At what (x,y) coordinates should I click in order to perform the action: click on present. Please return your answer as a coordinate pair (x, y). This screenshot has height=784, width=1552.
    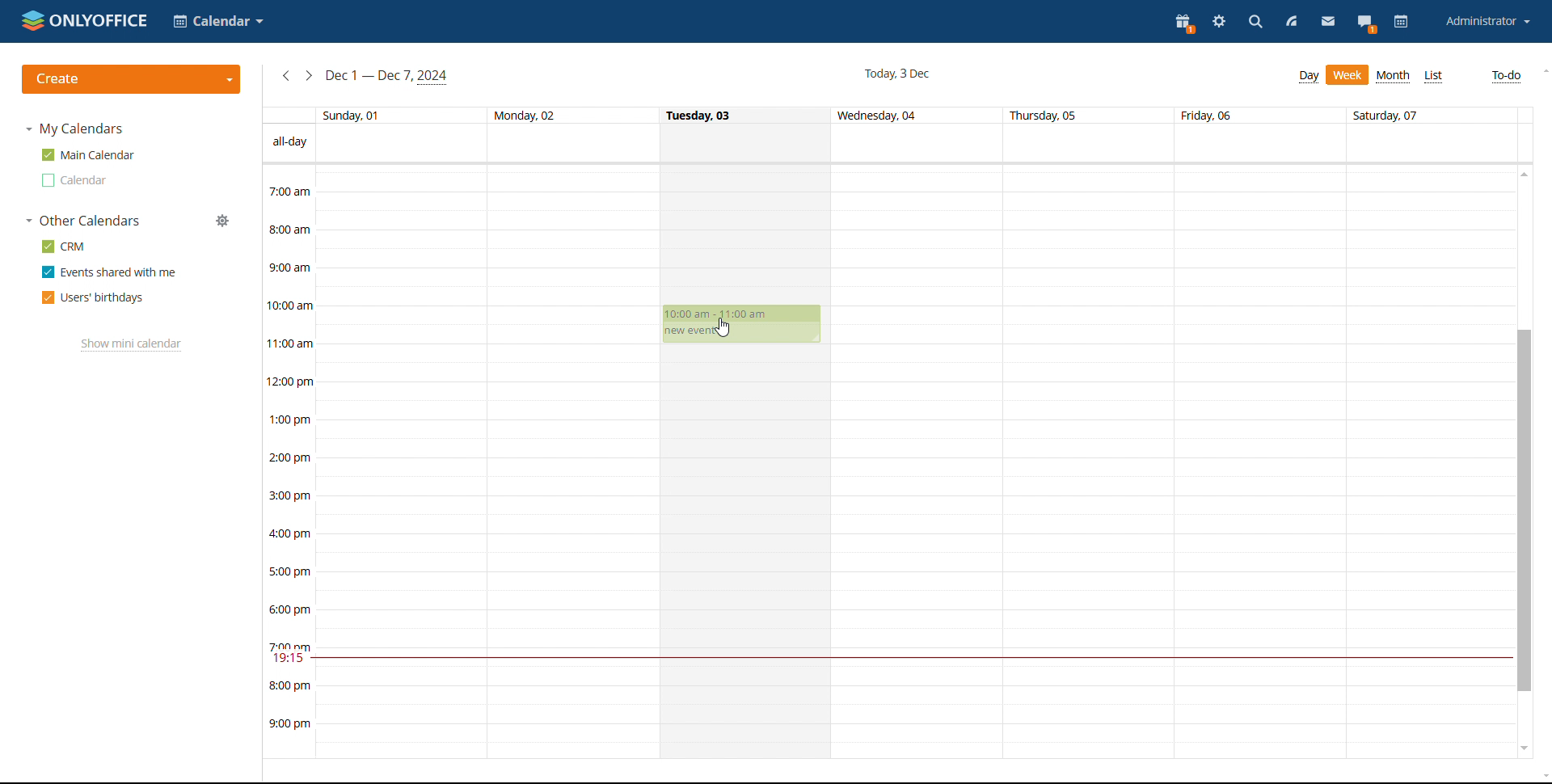
    Looking at the image, I should click on (1185, 23).